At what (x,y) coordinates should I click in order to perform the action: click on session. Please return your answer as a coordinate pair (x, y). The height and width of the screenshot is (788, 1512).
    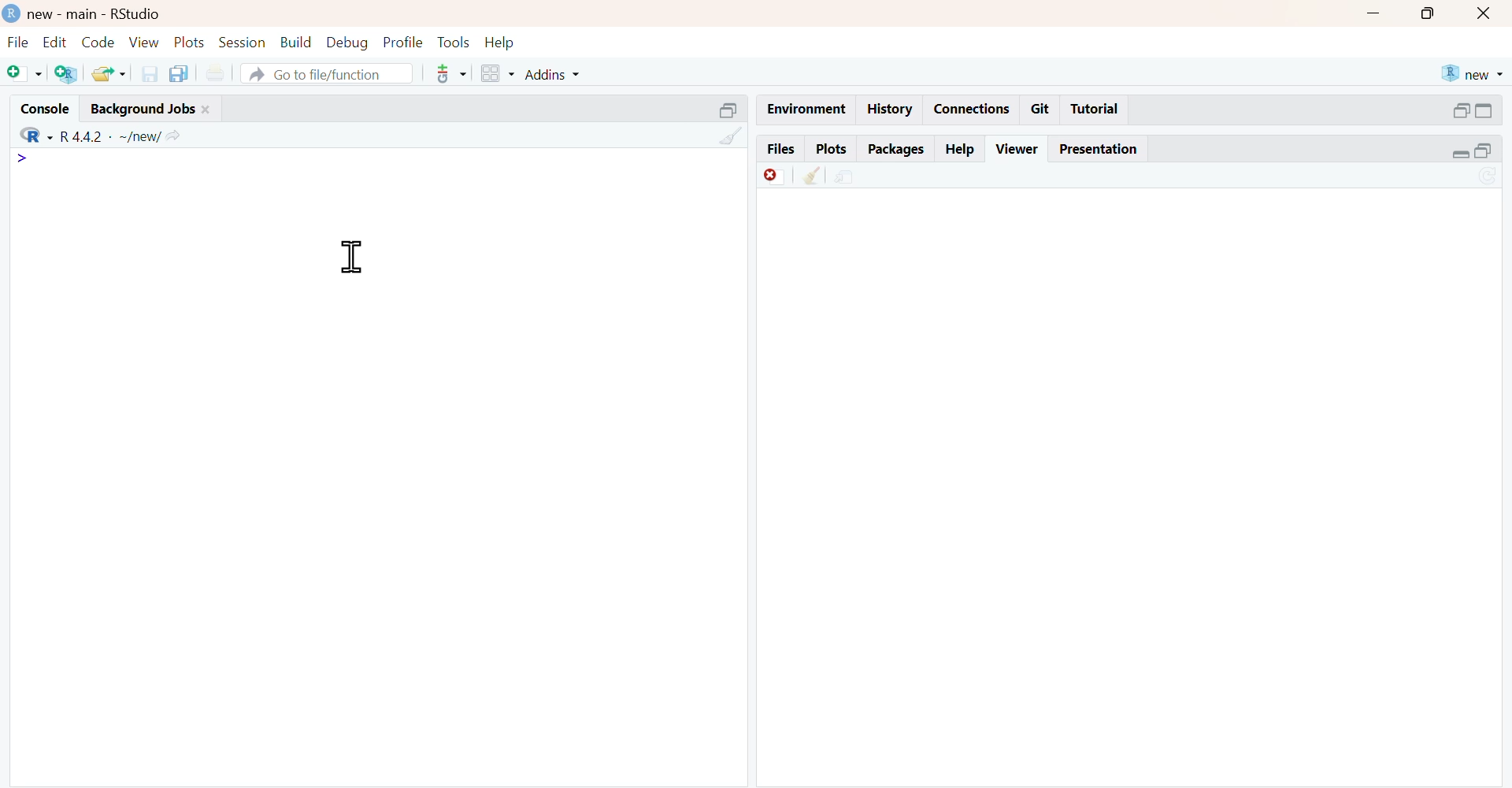
    Looking at the image, I should click on (243, 43).